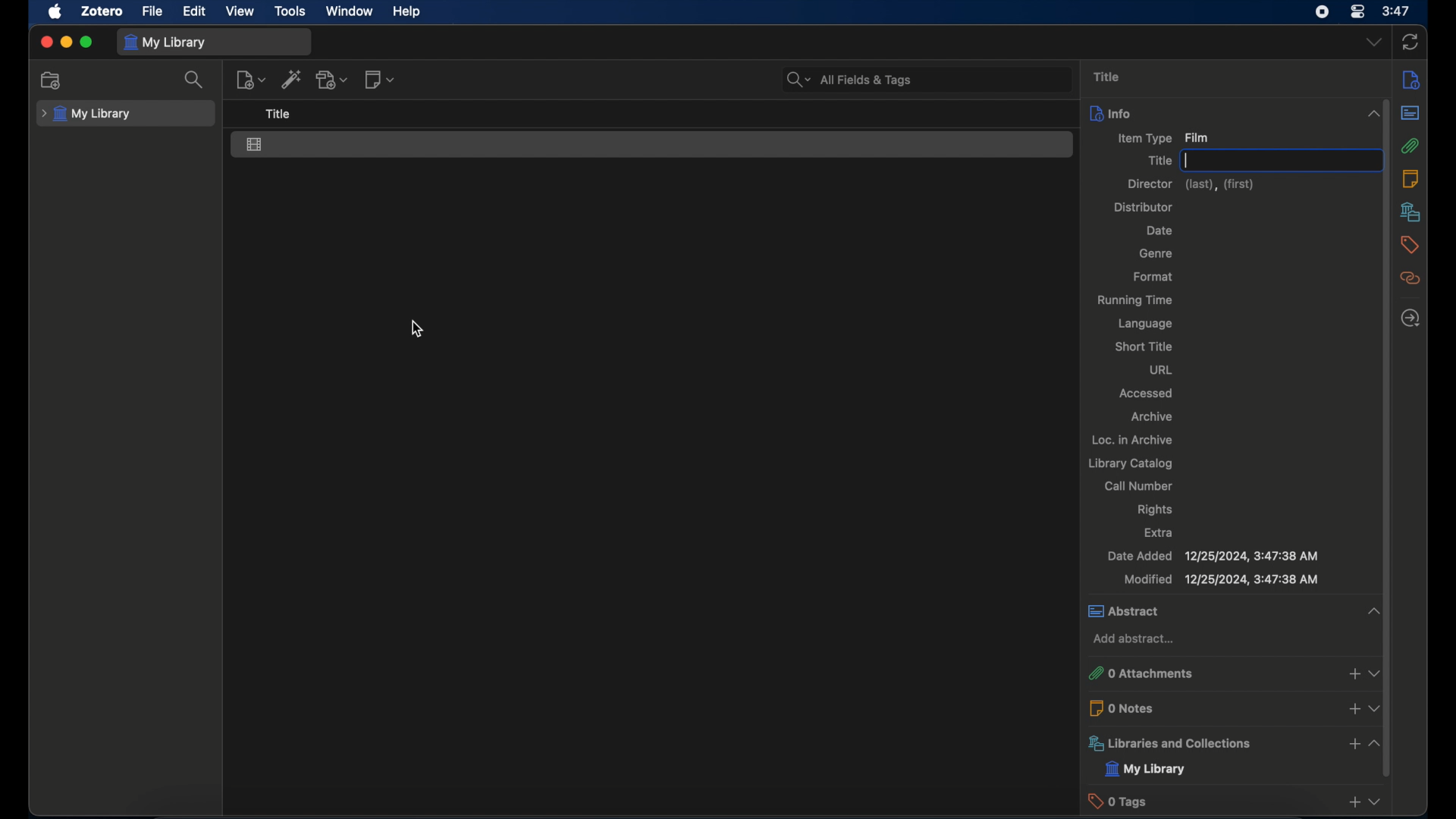 This screenshot has height=819, width=1456. I want to click on collapse, so click(1381, 742).